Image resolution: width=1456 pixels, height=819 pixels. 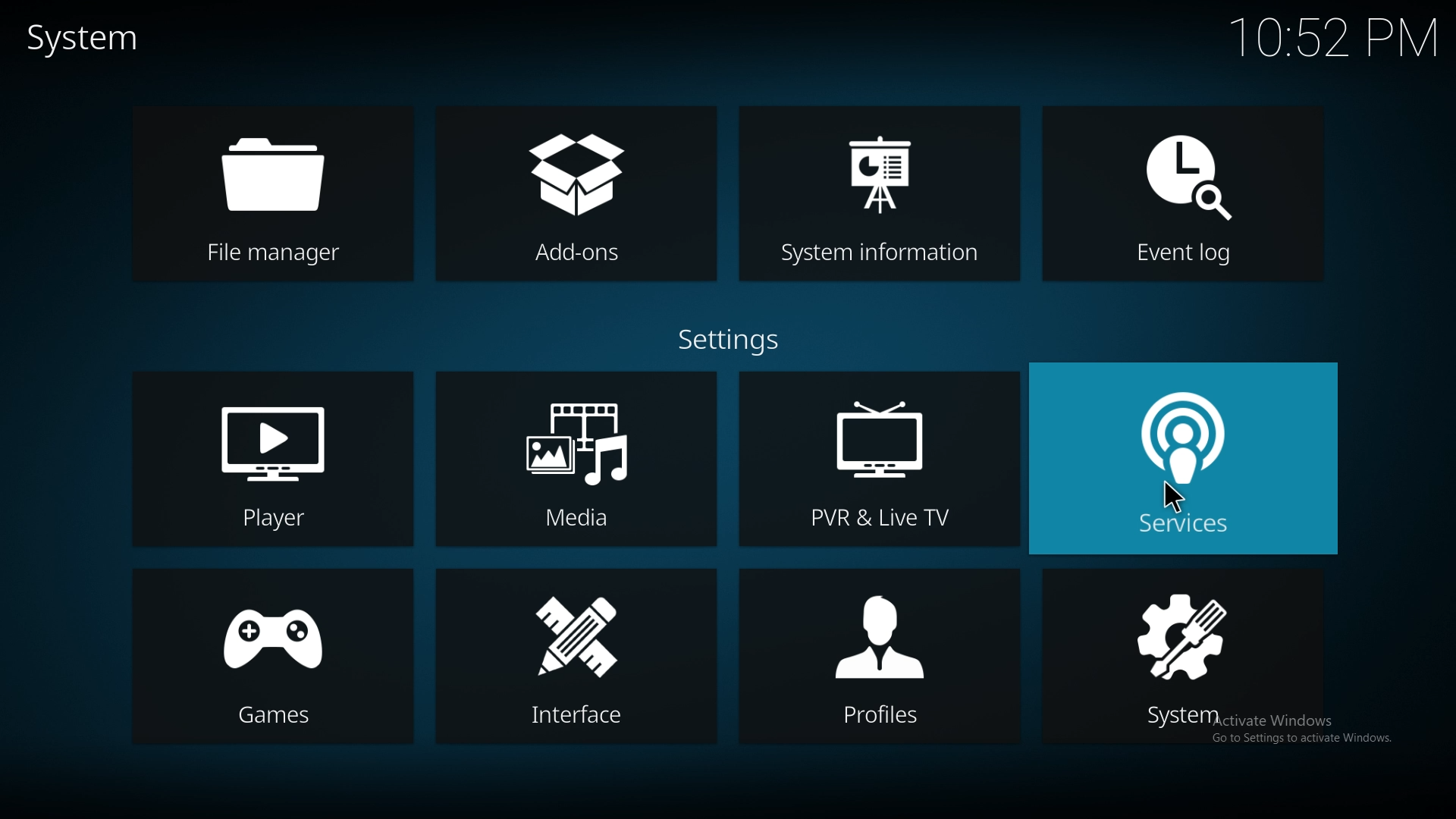 What do you see at coordinates (883, 457) in the screenshot?
I see `pvr and live tv` at bounding box center [883, 457].